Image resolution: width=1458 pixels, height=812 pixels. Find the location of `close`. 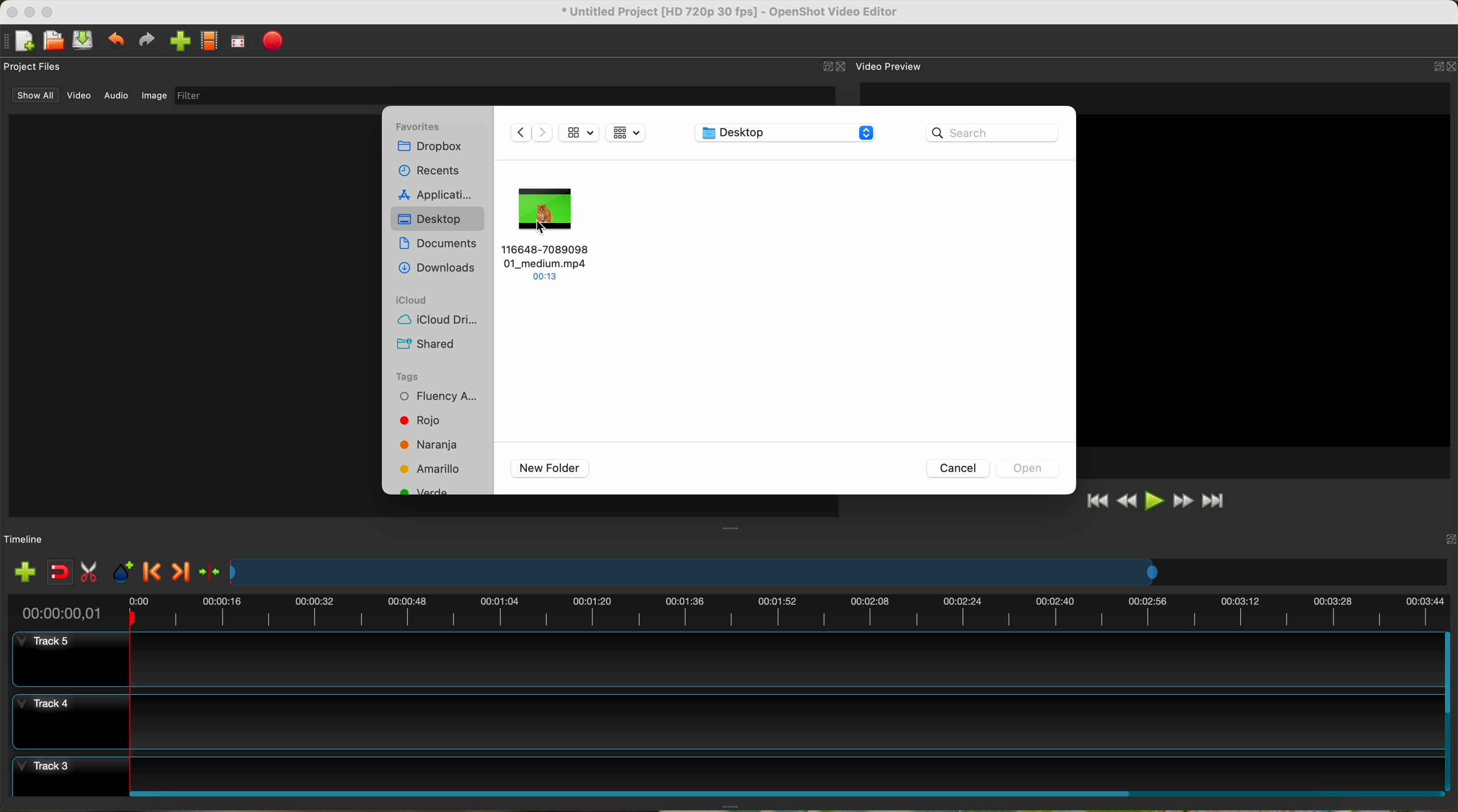

close is located at coordinates (835, 67).